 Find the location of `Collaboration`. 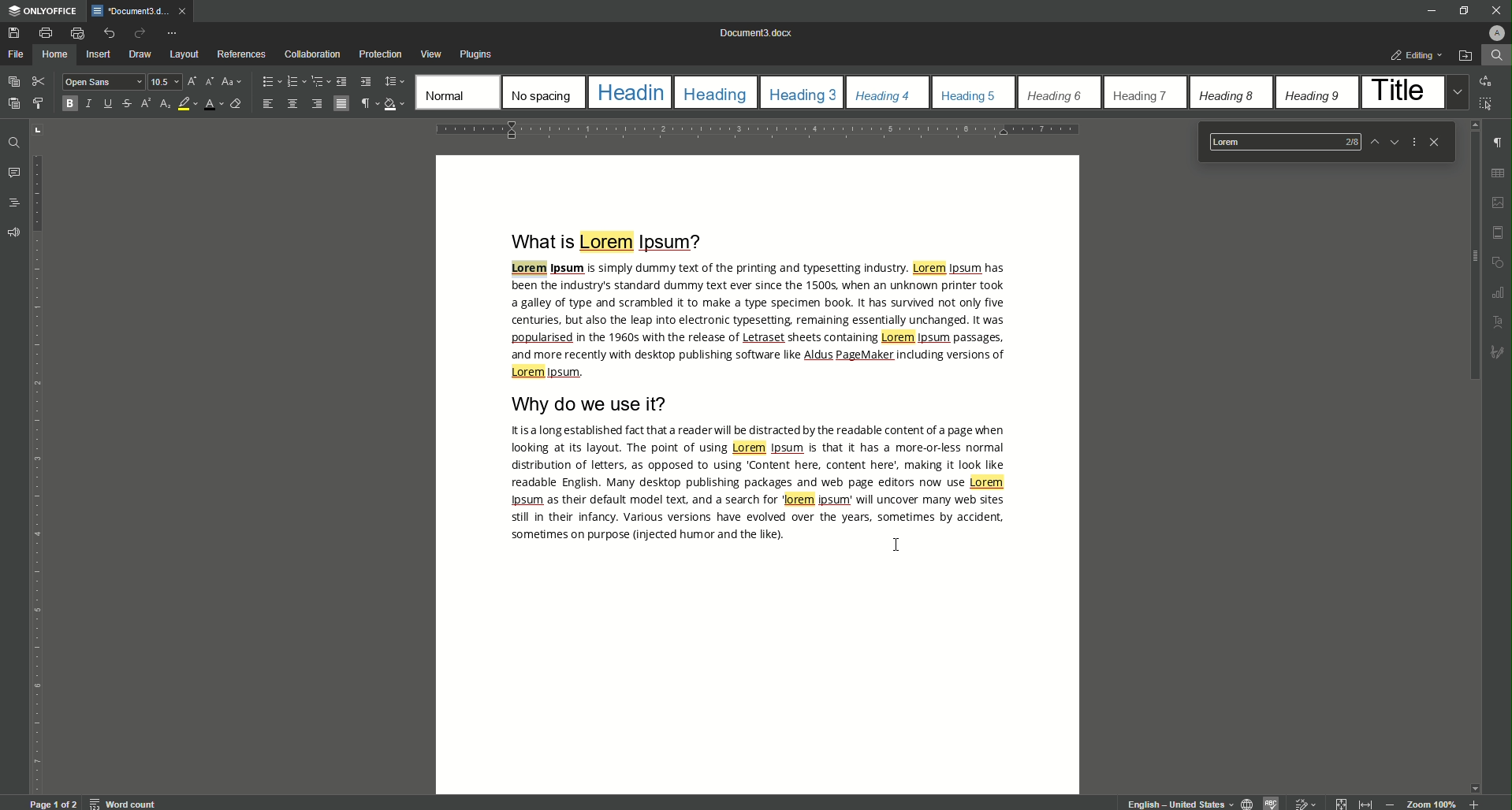

Collaboration is located at coordinates (311, 54).